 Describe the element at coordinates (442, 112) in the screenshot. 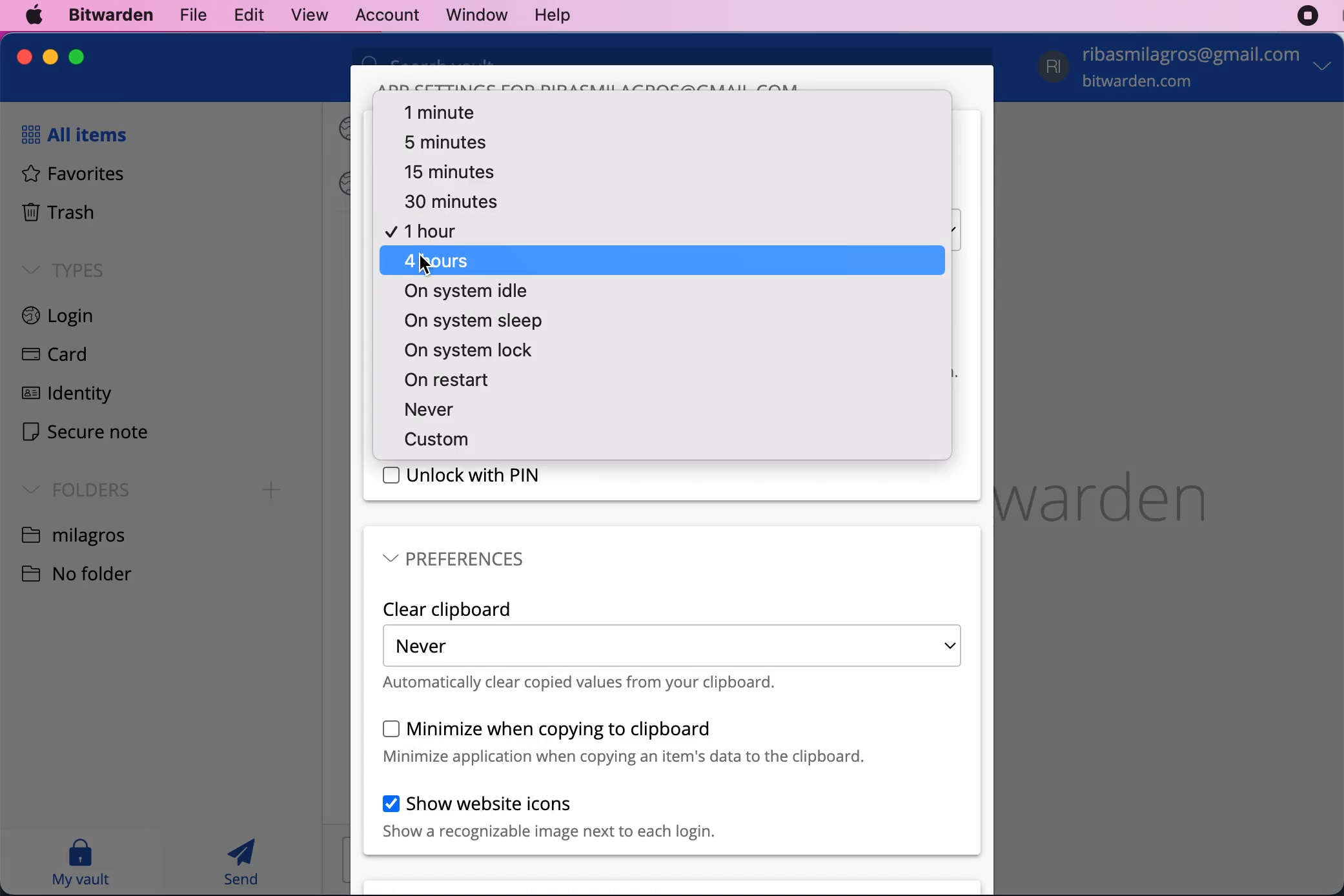

I see `1 minute` at that location.